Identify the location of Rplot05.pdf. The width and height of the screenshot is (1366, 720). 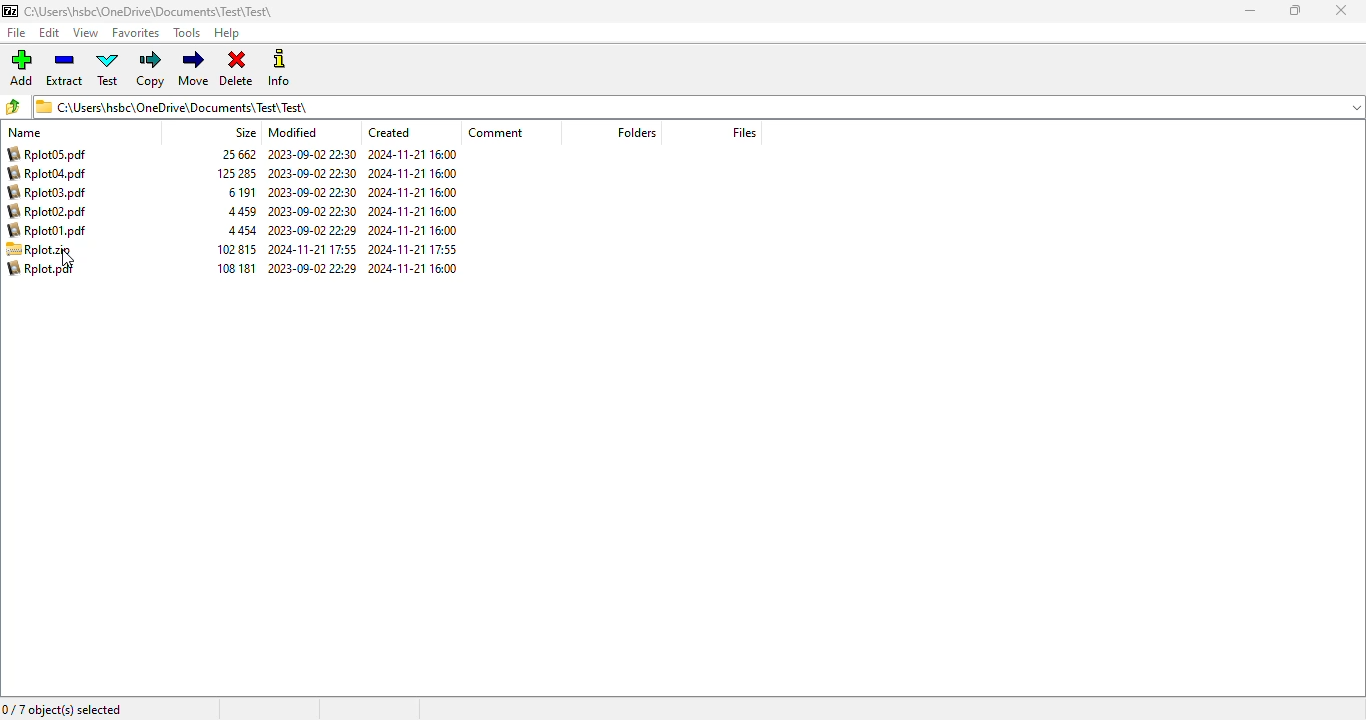
(47, 153).